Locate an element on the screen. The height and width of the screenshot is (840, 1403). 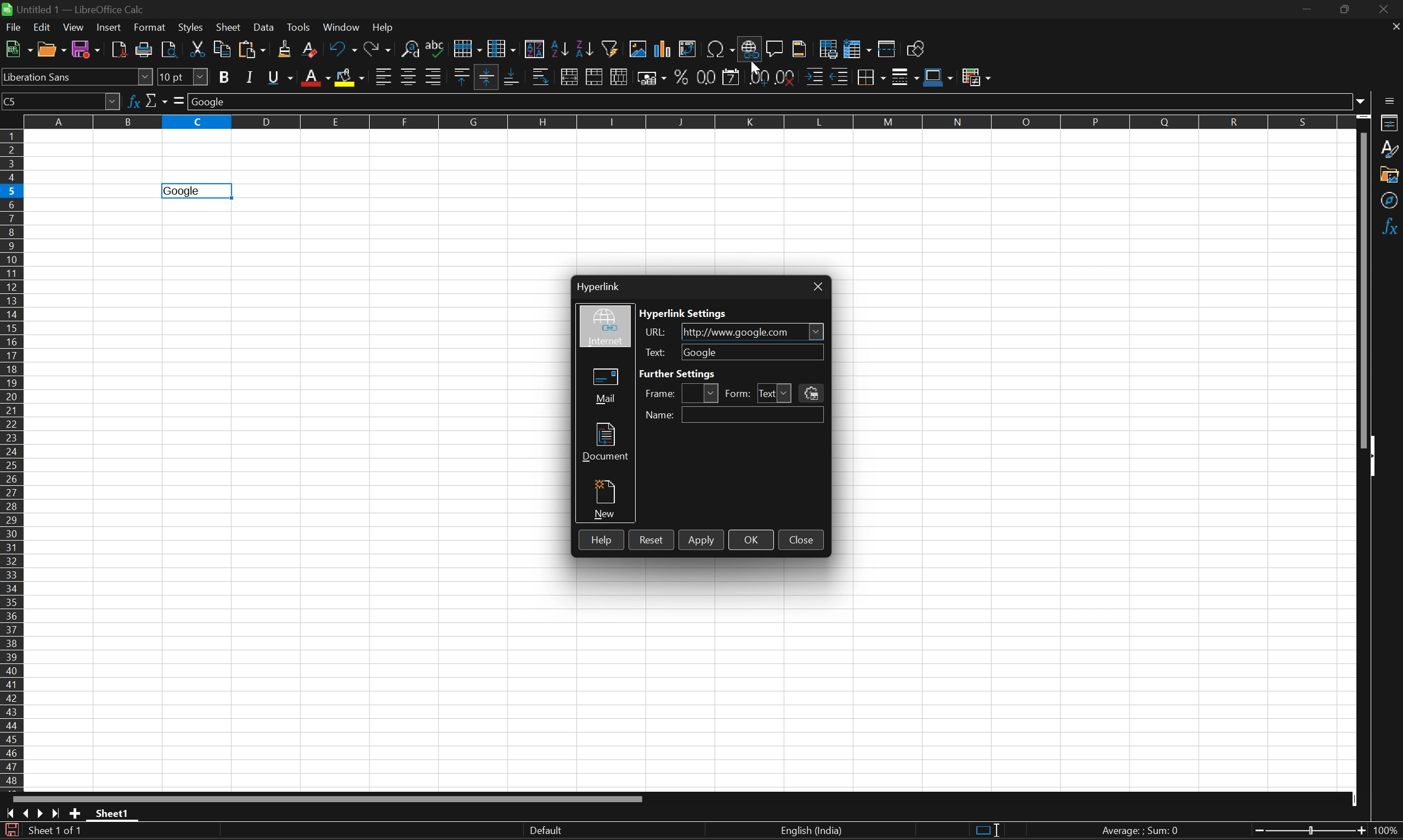
Frame: is located at coordinates (661, 394).